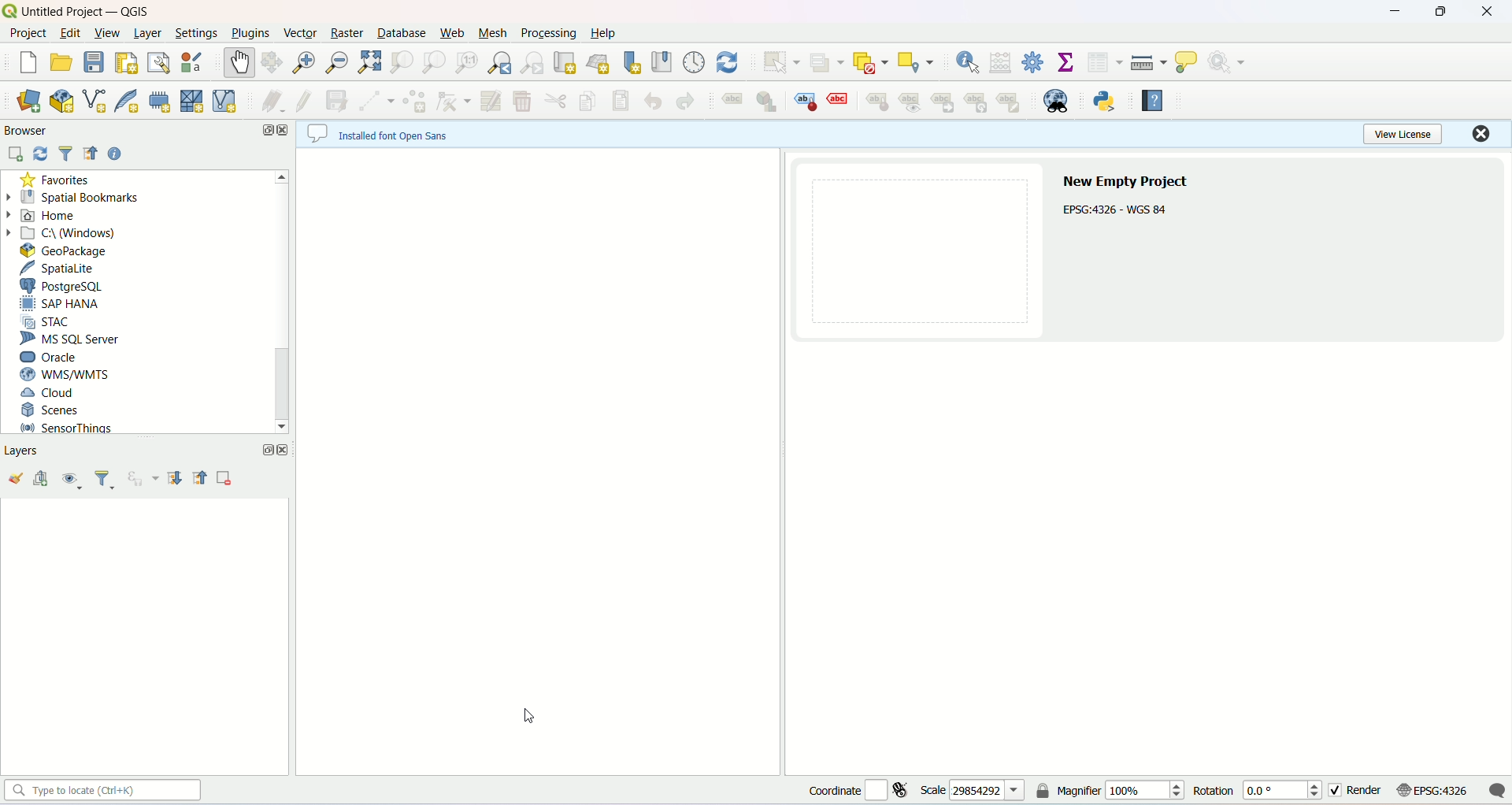 The height and width of the screenshot is (805, 1512). What do you see at coordinates (127, 98) in the screenshot?
I see `new spatialite layer` at bounding box center [127, 98].